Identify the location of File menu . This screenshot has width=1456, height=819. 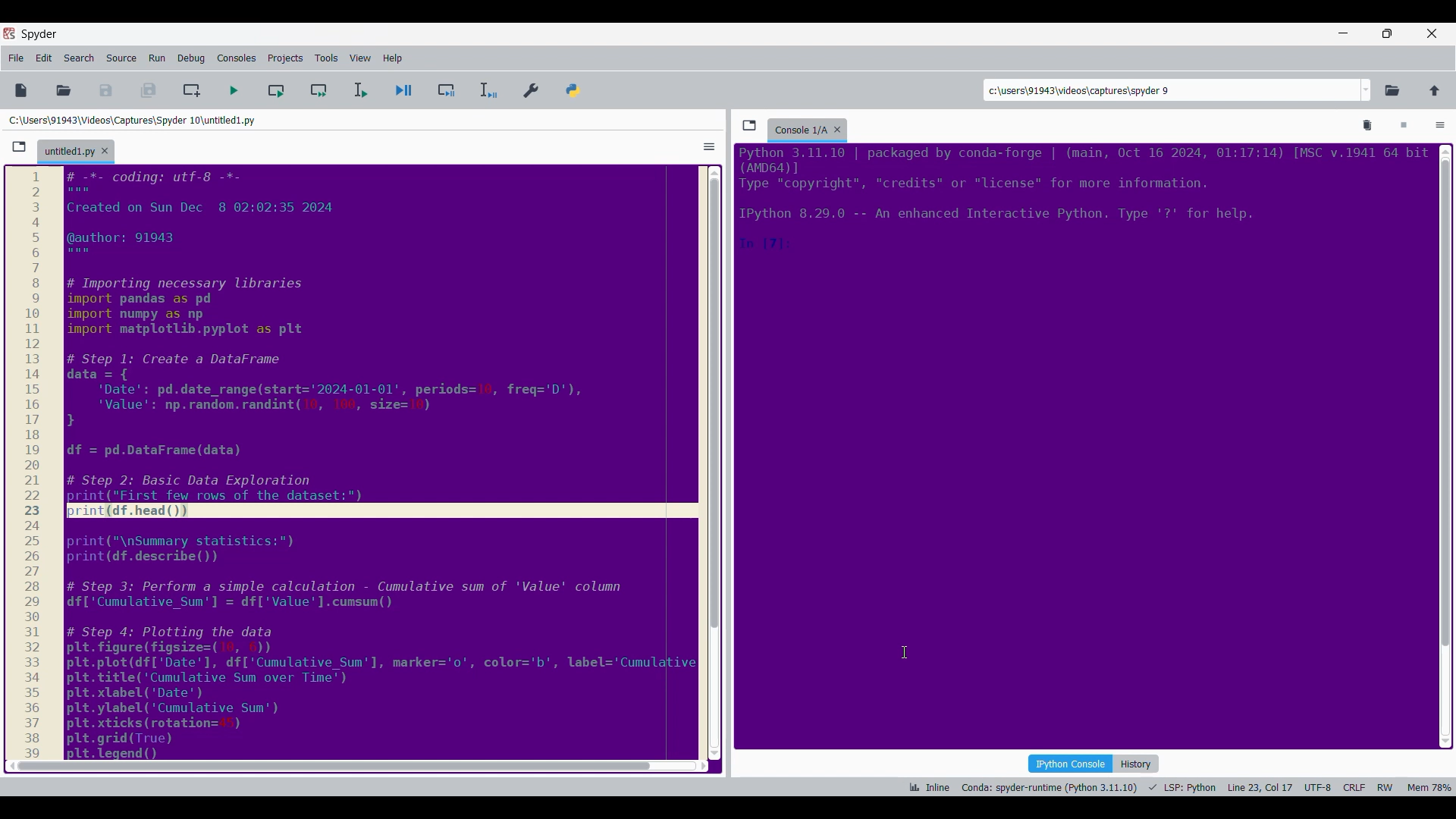
(16, 58).